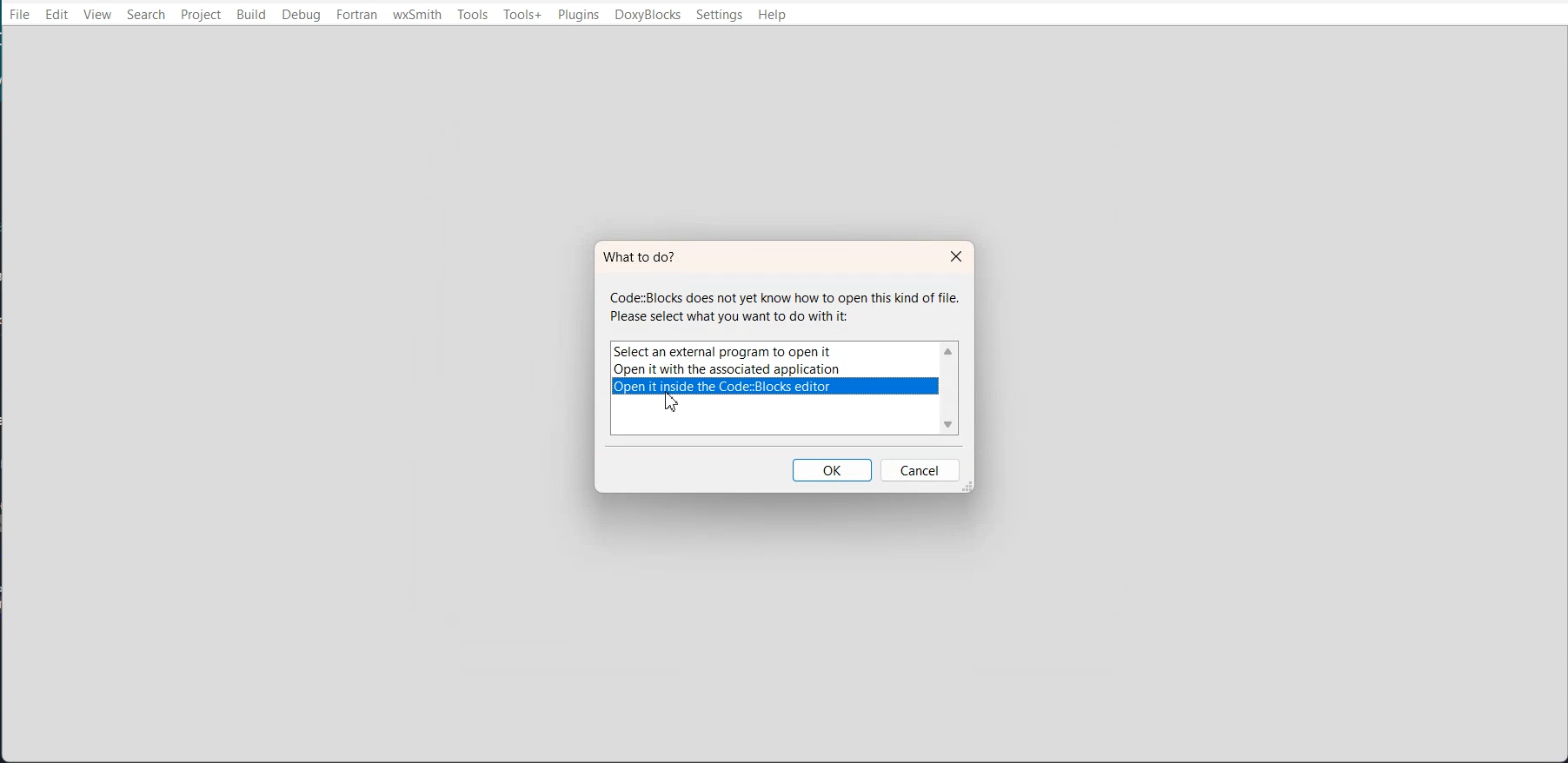 The width and height of the screenshot is (1568, 763). What do you see at coordinates (948, 388) in the screenshot?
I see `Vertical scroll bar` at bounding box center [948, 388].